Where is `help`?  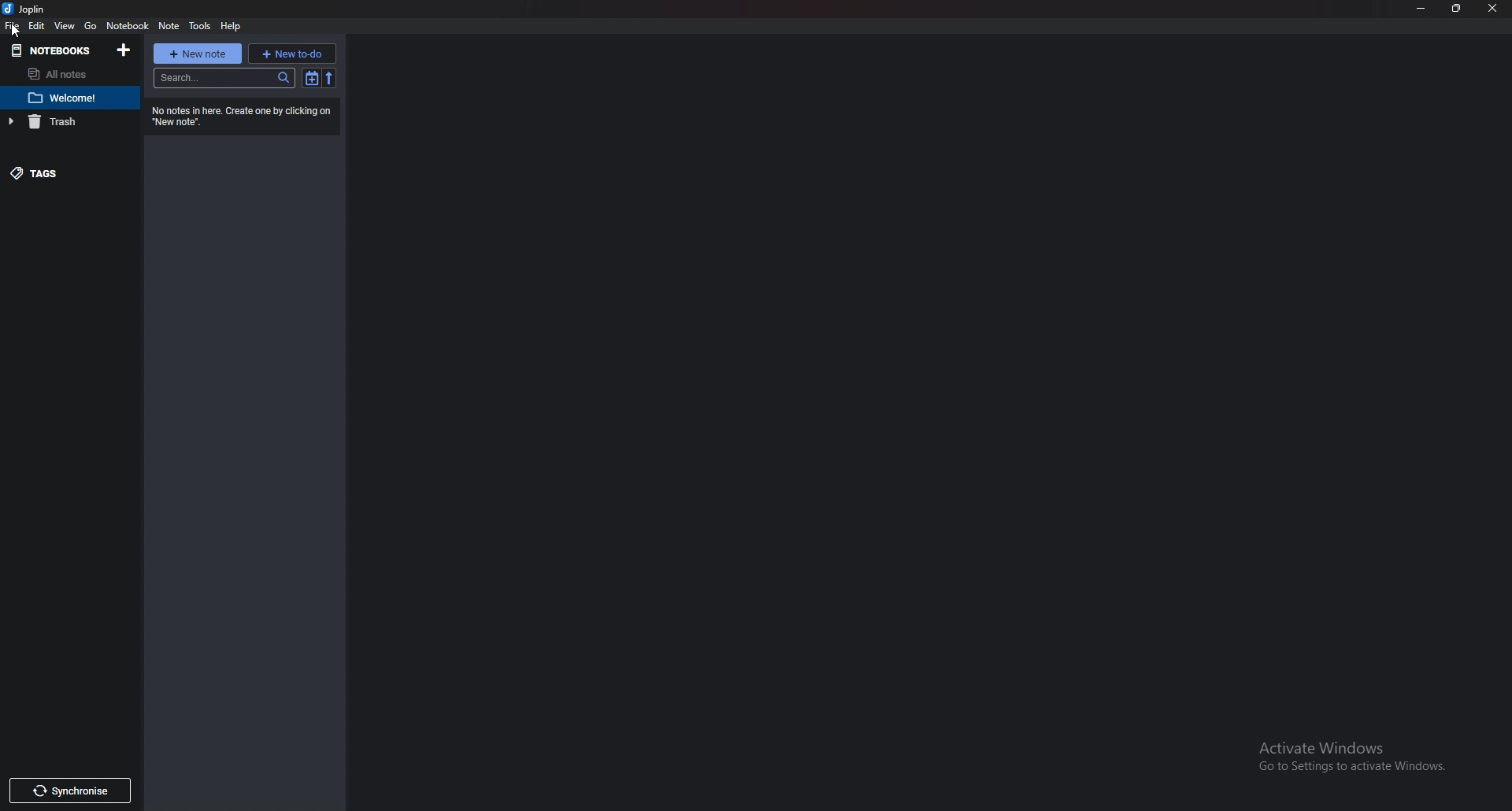 help is located at coordinates (232, 26).